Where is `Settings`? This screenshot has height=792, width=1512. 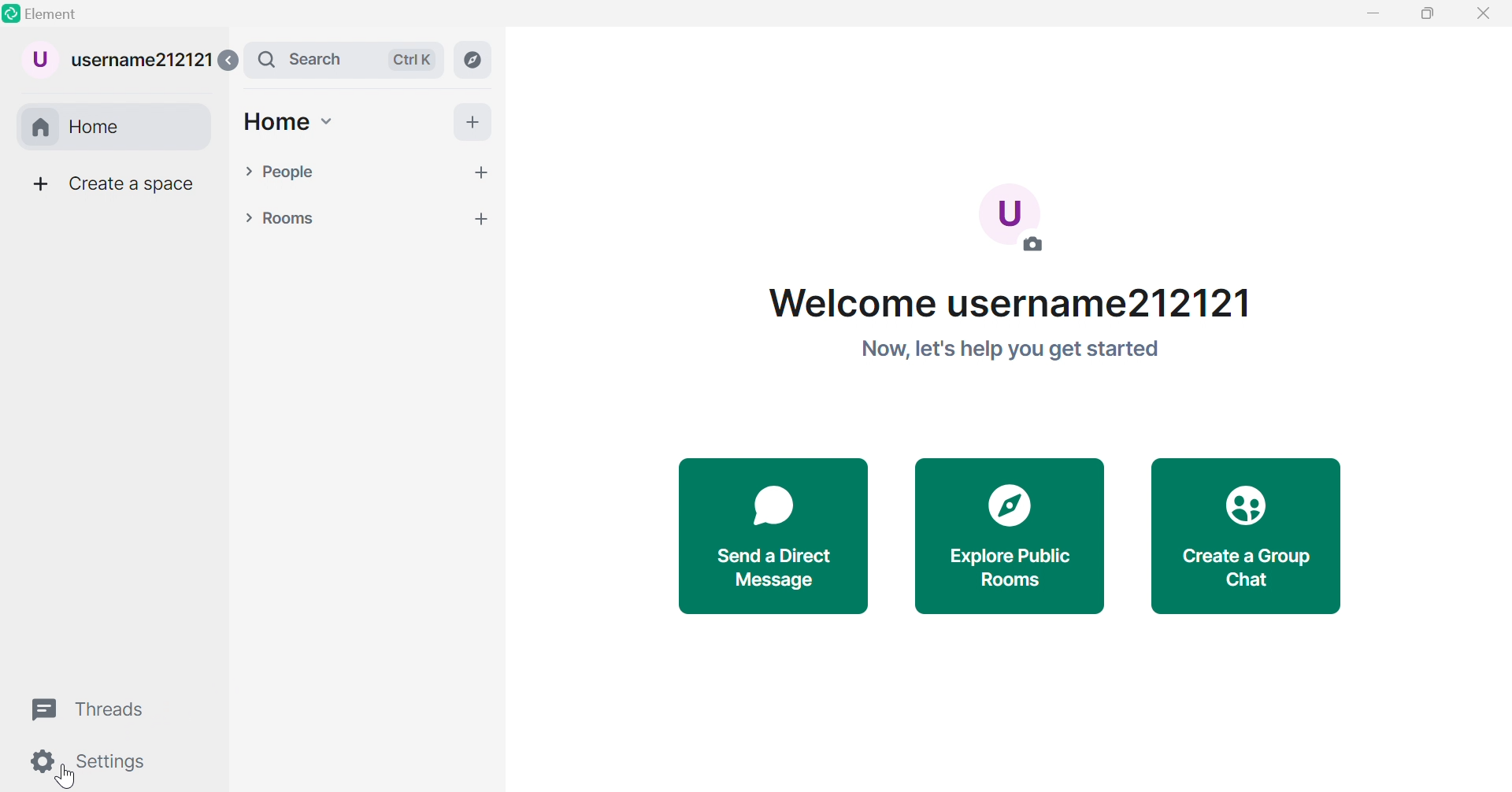 Settings is located at coordinates (91, 762).